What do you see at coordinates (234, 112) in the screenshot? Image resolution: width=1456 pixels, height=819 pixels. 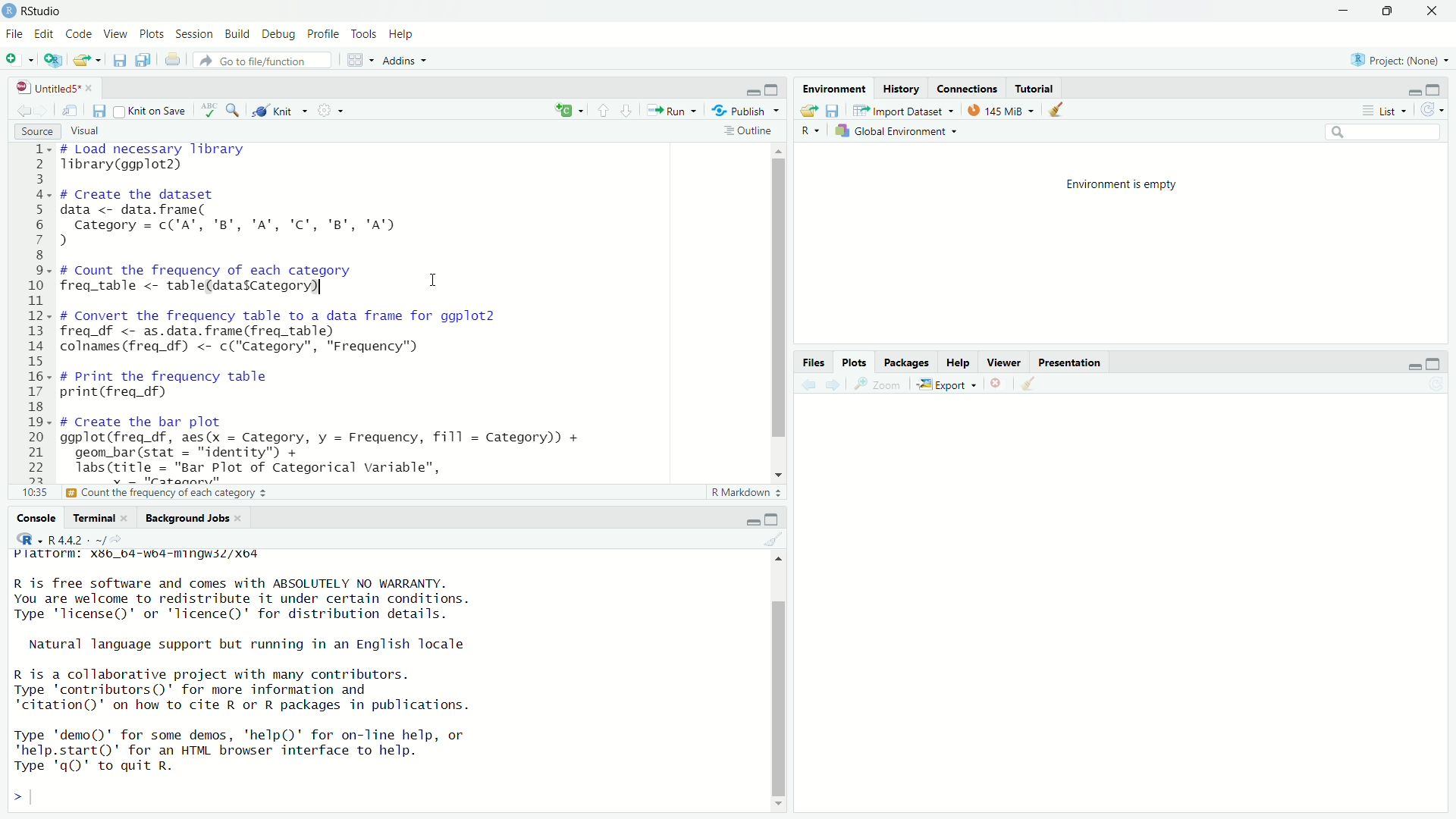 I see `find and replace` at bounding box center [234, 112].